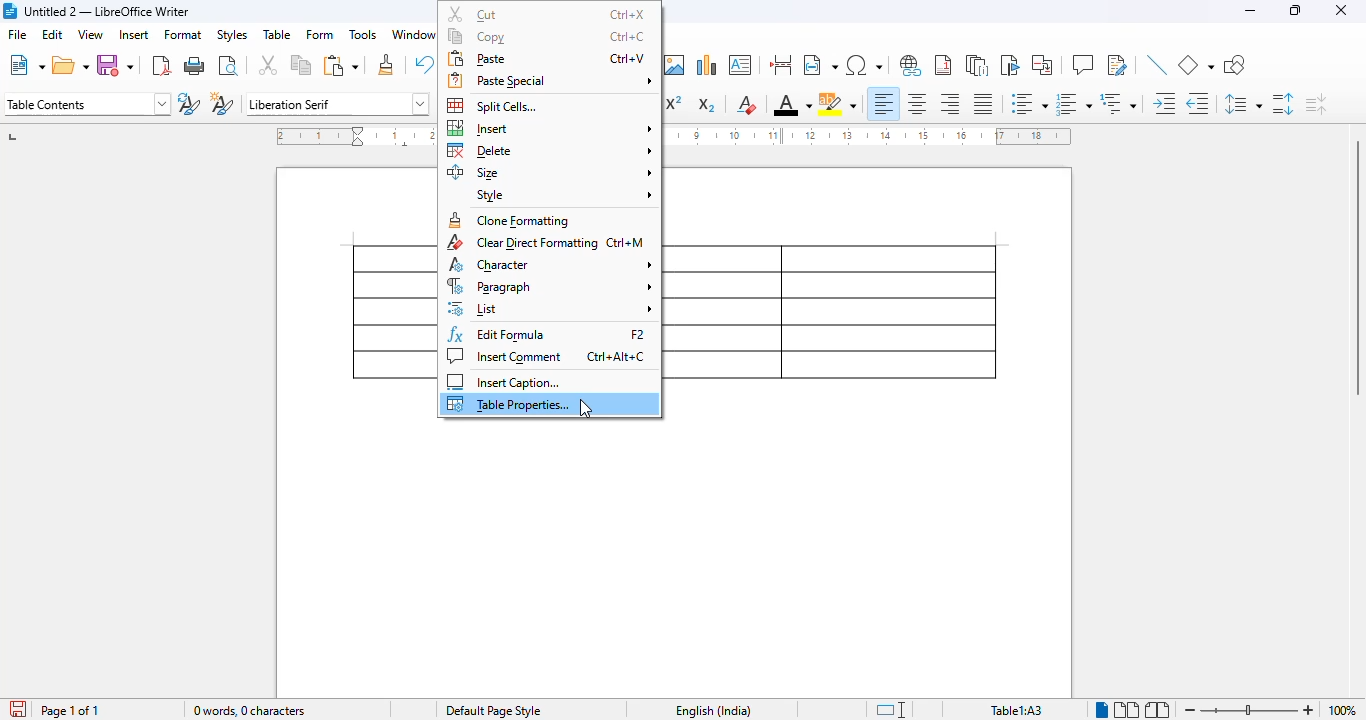  Describe the element at coordinates (781, 64) in the screenshot. I see `insert page break` at that location.